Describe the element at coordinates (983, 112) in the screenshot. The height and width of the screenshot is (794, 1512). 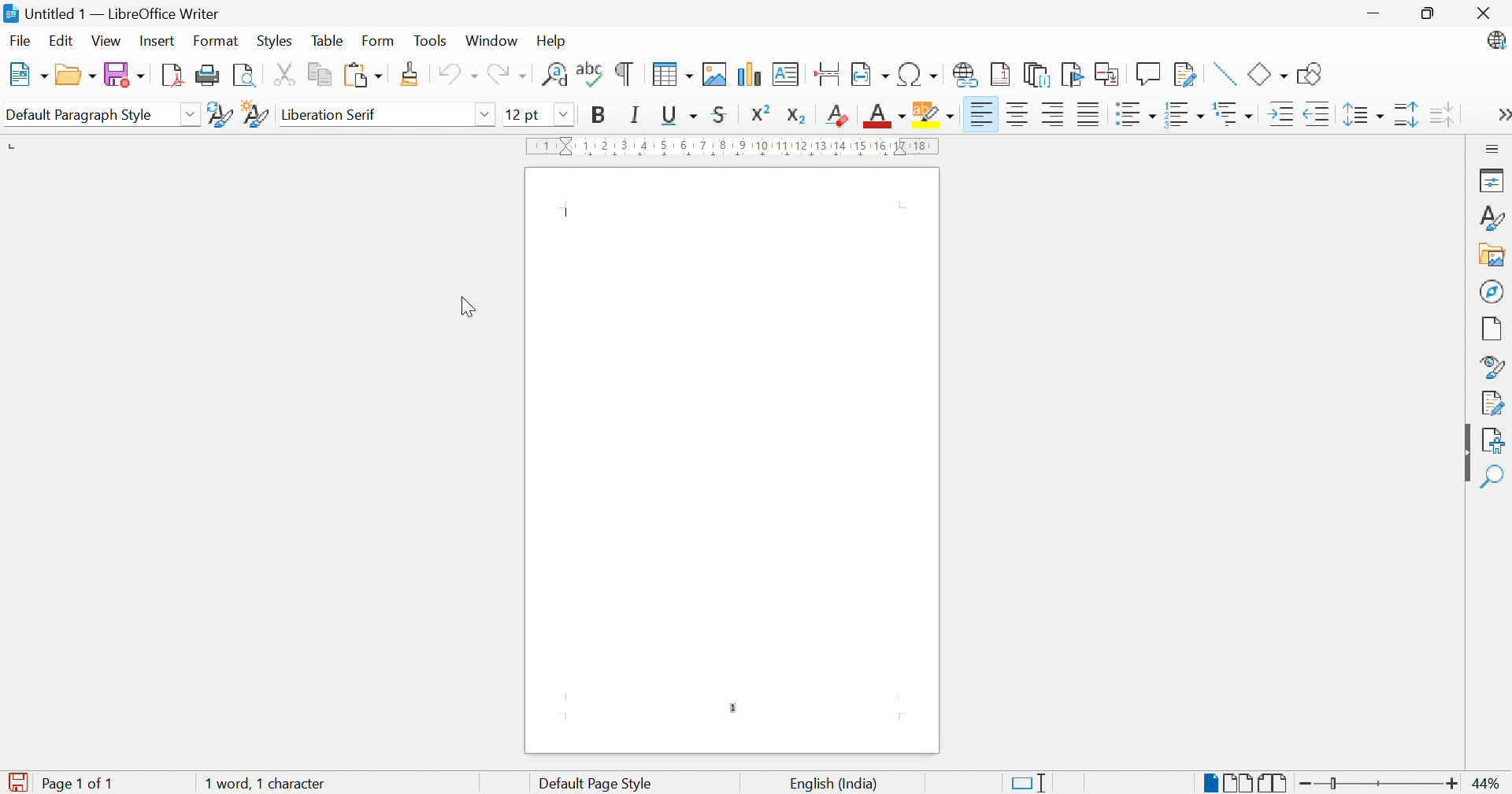
I see `Align left` at that location.